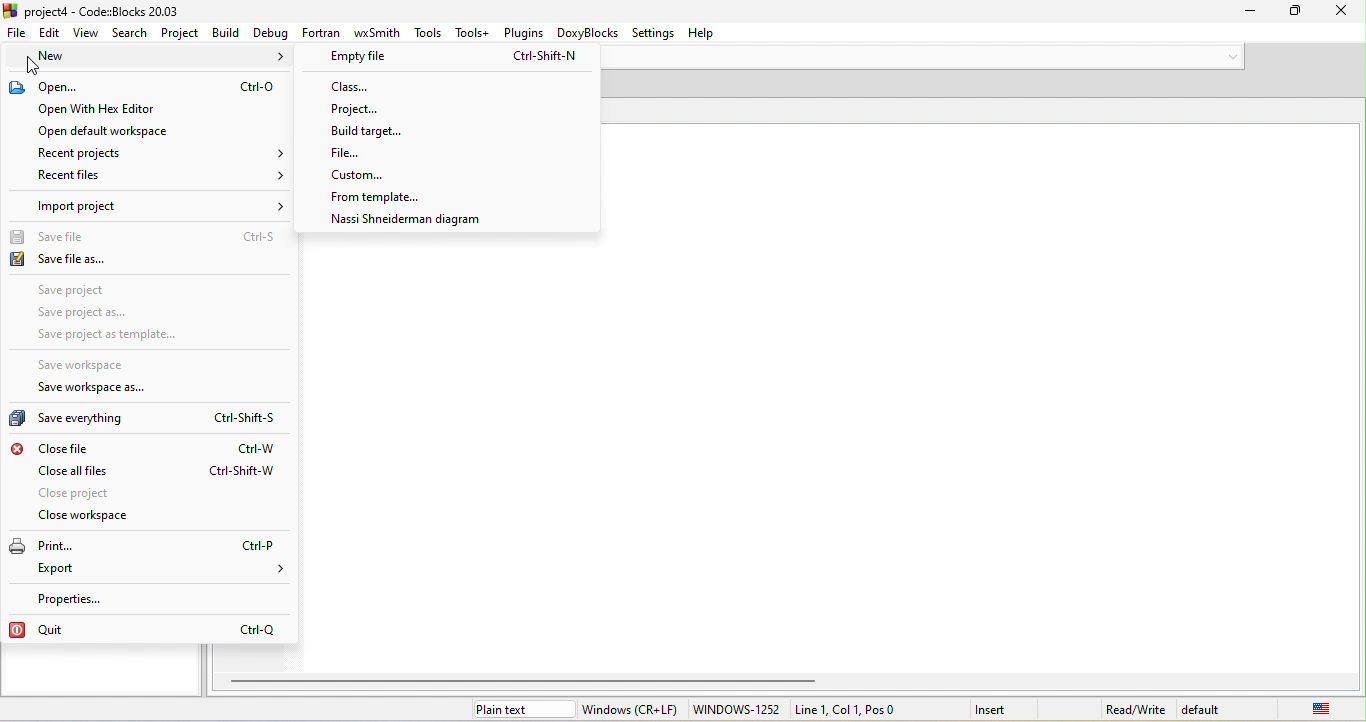 Image resolution: width=1366 pixels, height=722 pixels. I want to click on save project, so click(101, 288).